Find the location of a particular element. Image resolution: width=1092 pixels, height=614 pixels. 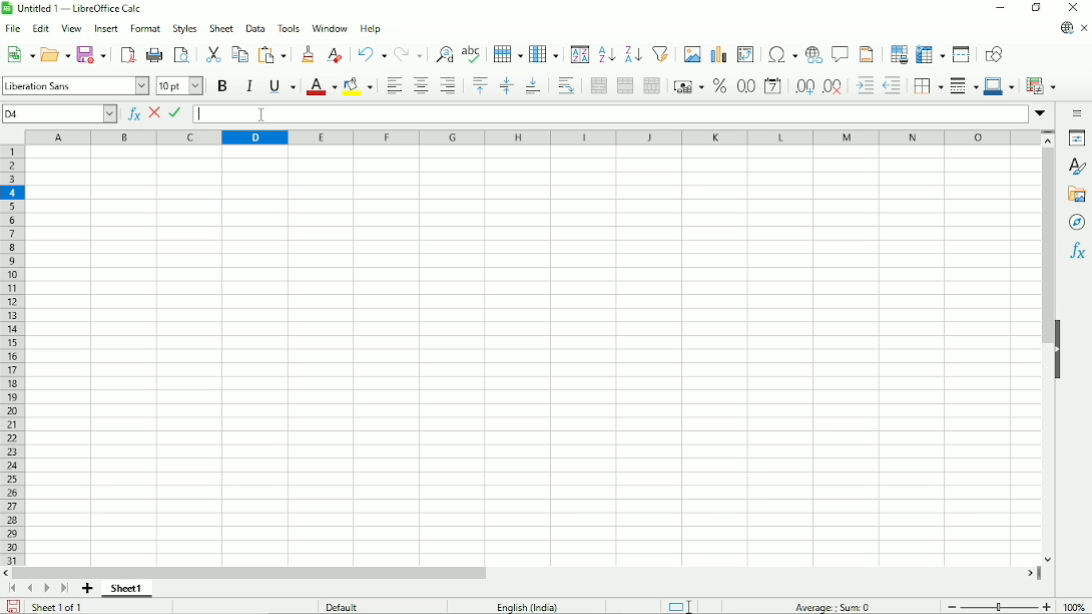

Sort is located at coordinates (580, 53).